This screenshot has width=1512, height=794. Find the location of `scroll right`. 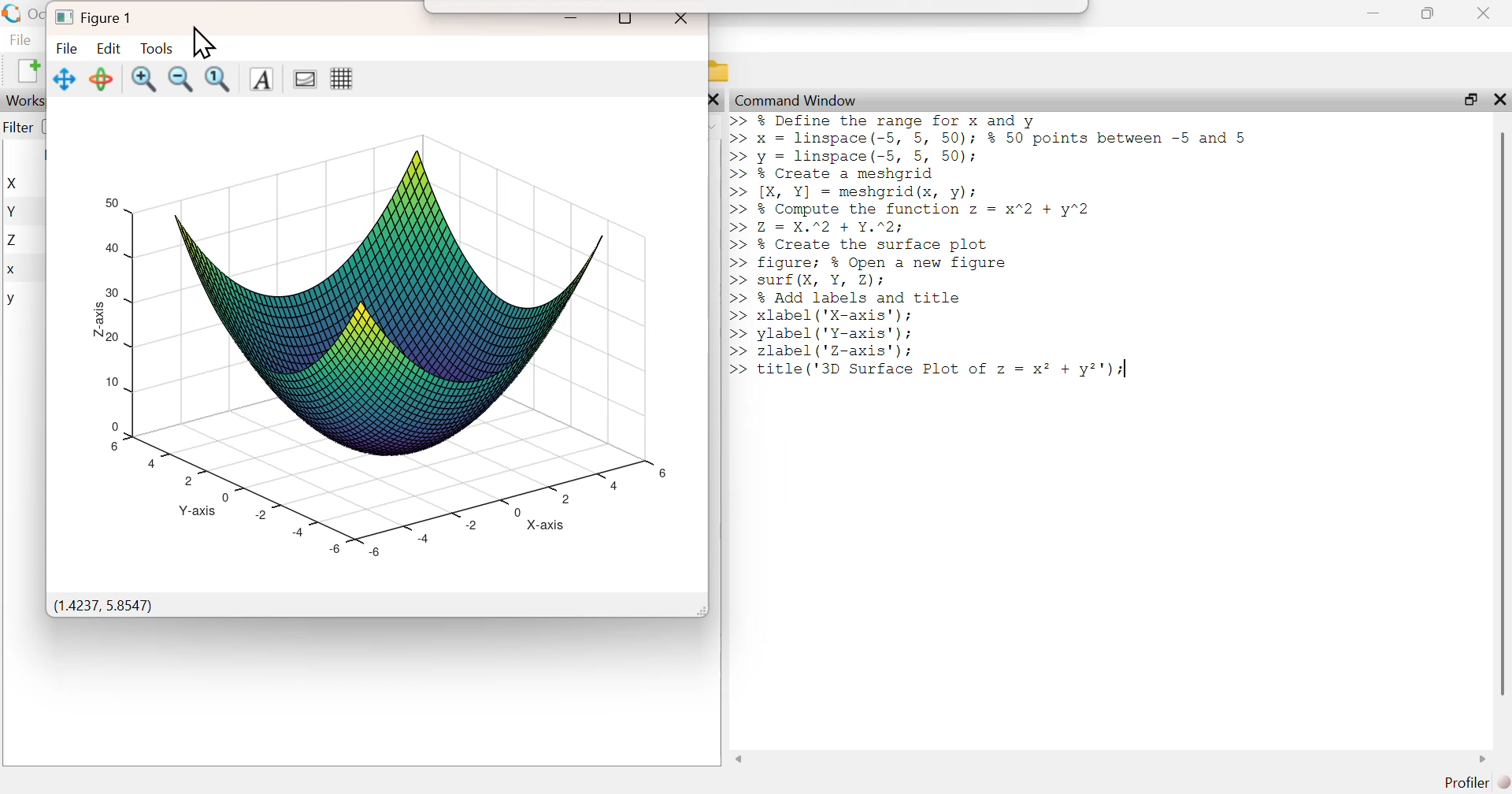

scroll right is located at coordinates (1484, 759).